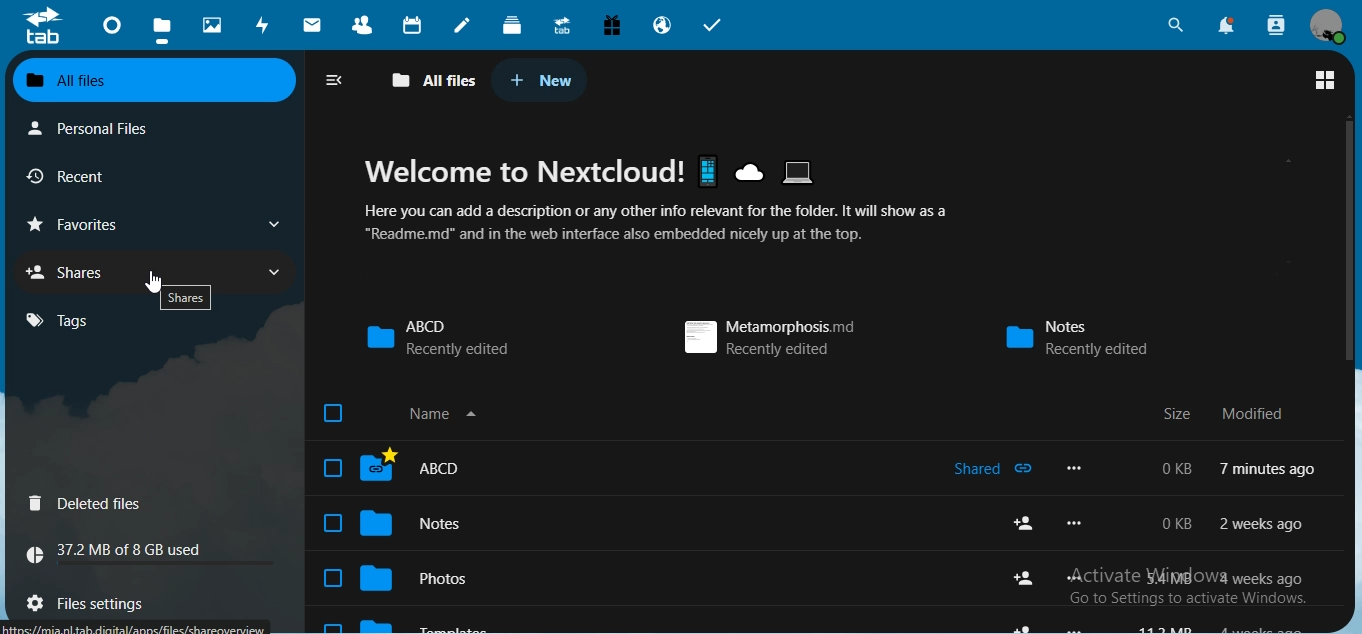  Describe the element at coordinates (1027, 624) in the screenshot. I see `share` at that location.